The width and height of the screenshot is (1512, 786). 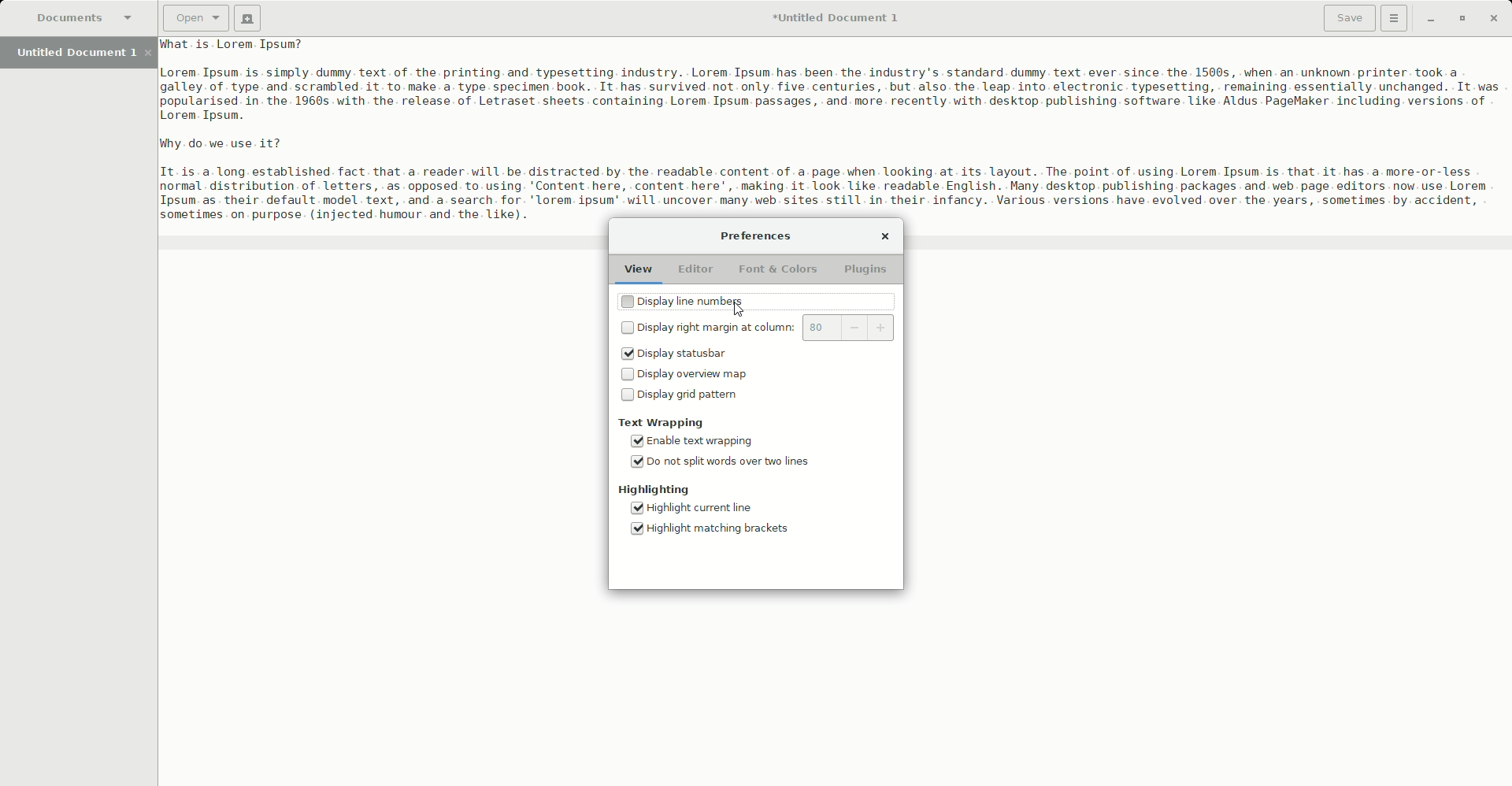 I want to click on Preferences, so click(x=759, y=237).